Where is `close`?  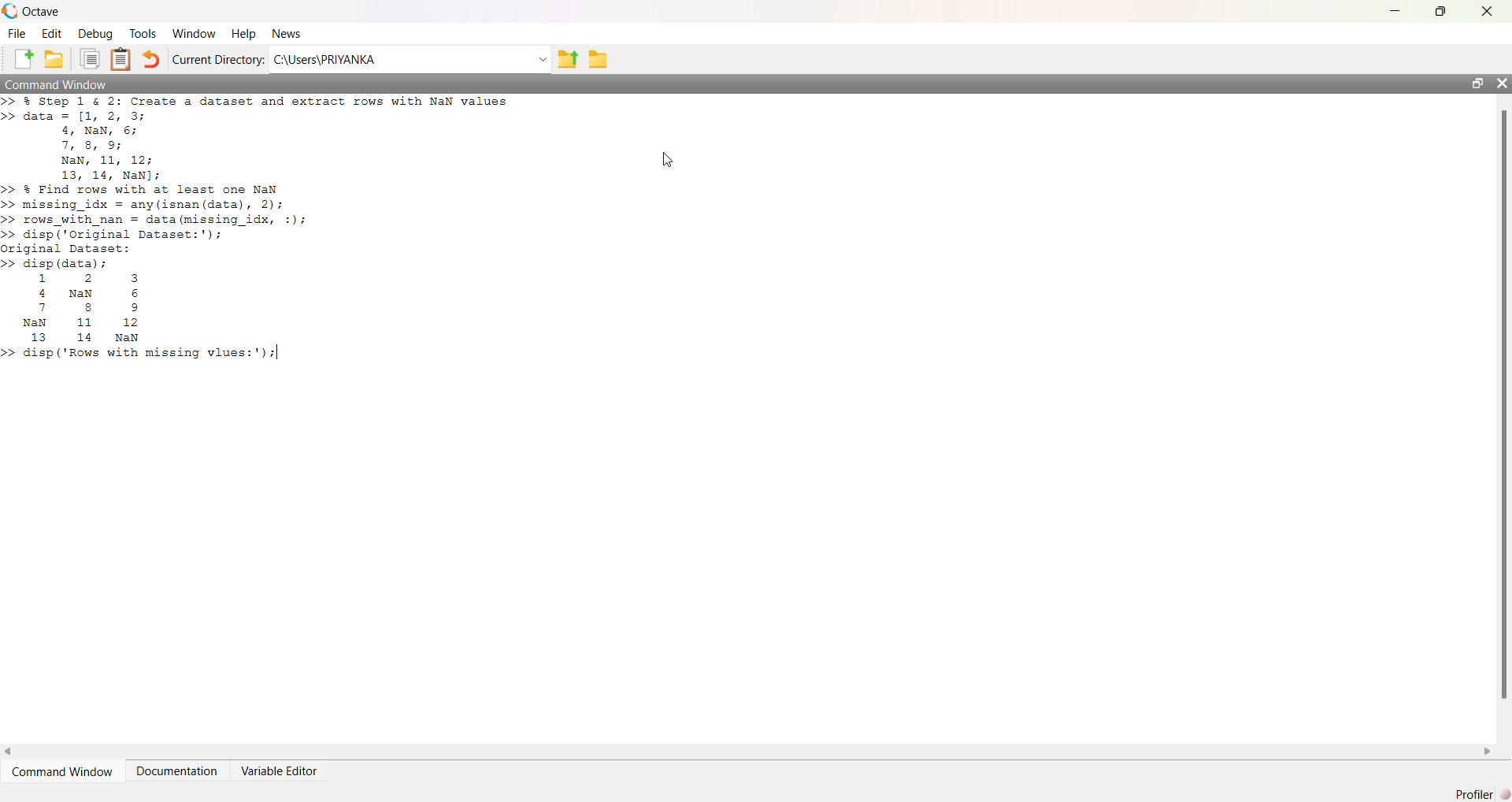
close is located at coordinates (1501, 83).